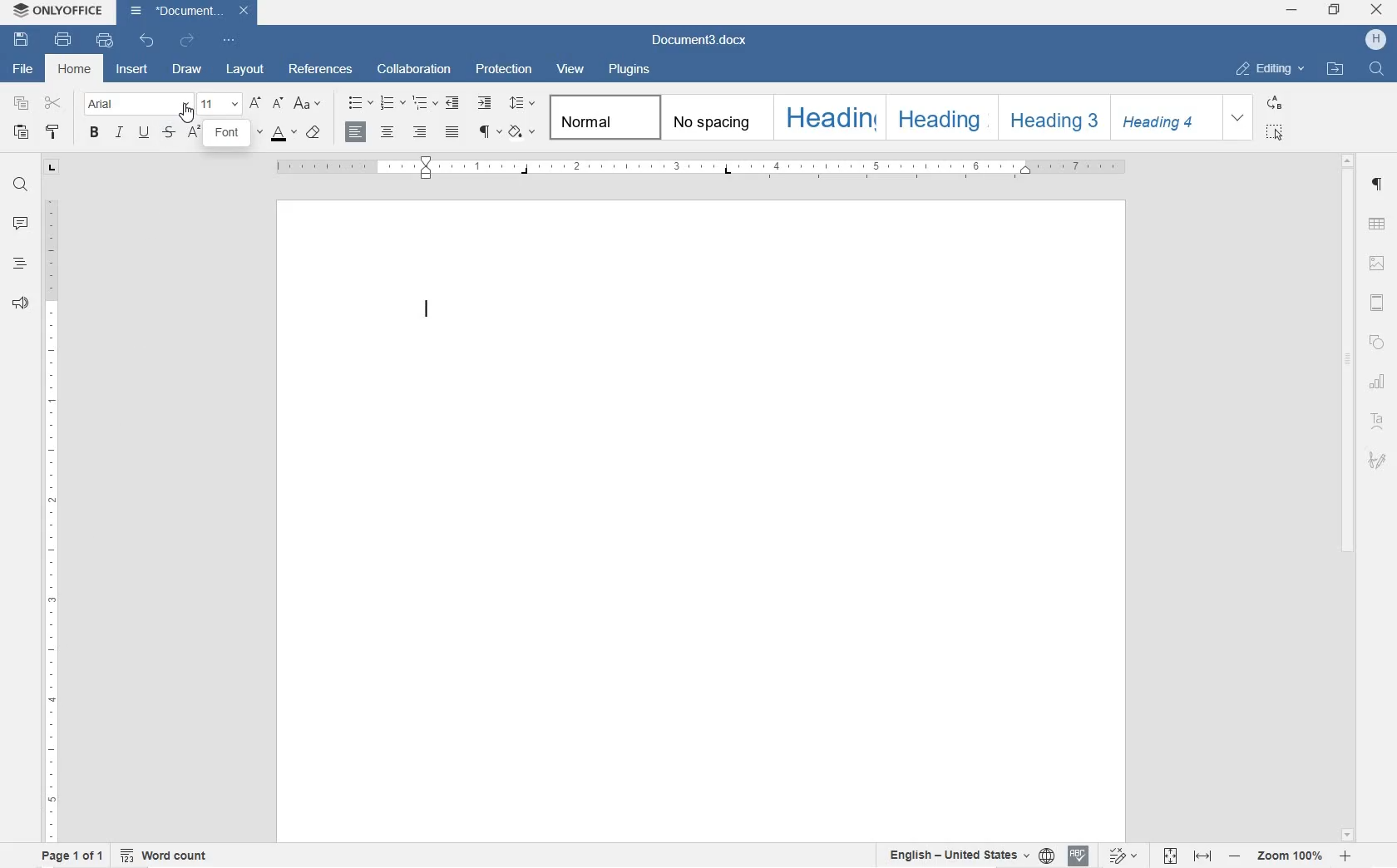 This screenshot has height=868, width=1397. I want to click on PAGE 1 OF 1, so click(74, 858).